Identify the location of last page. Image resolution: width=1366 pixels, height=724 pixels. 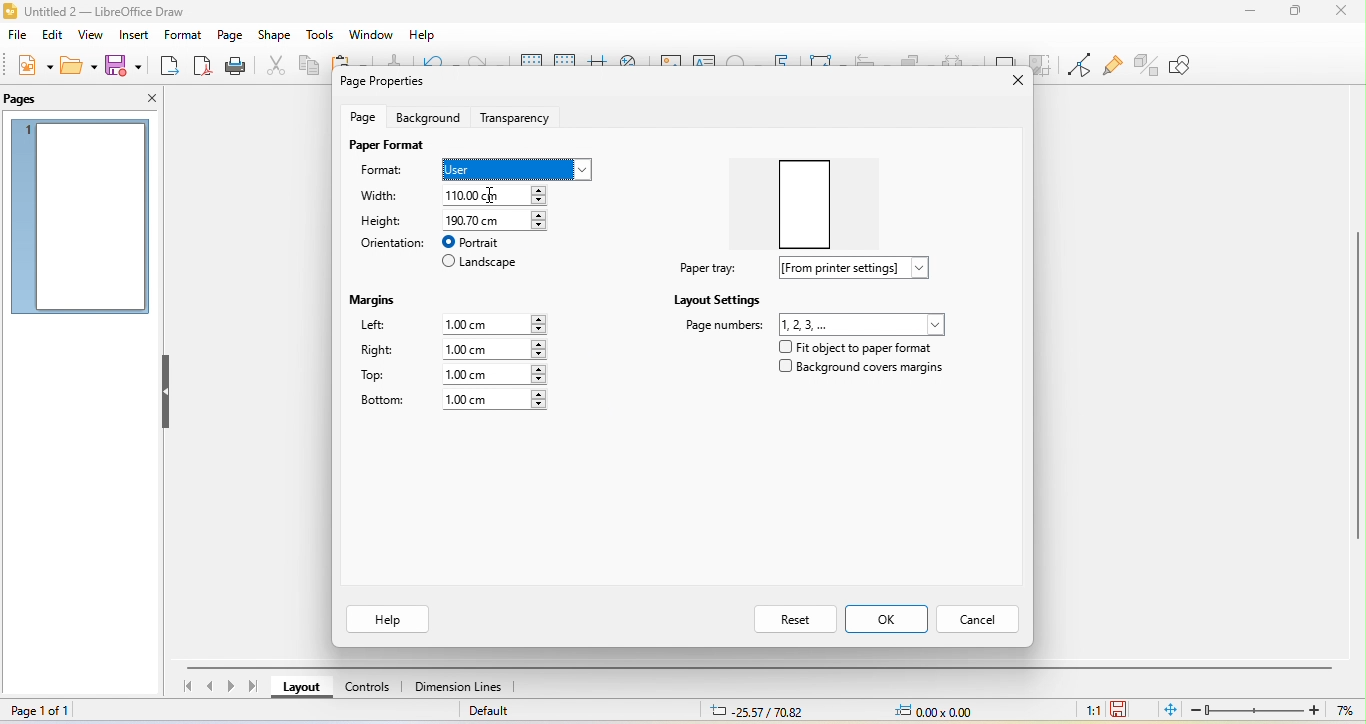
(257, 686).